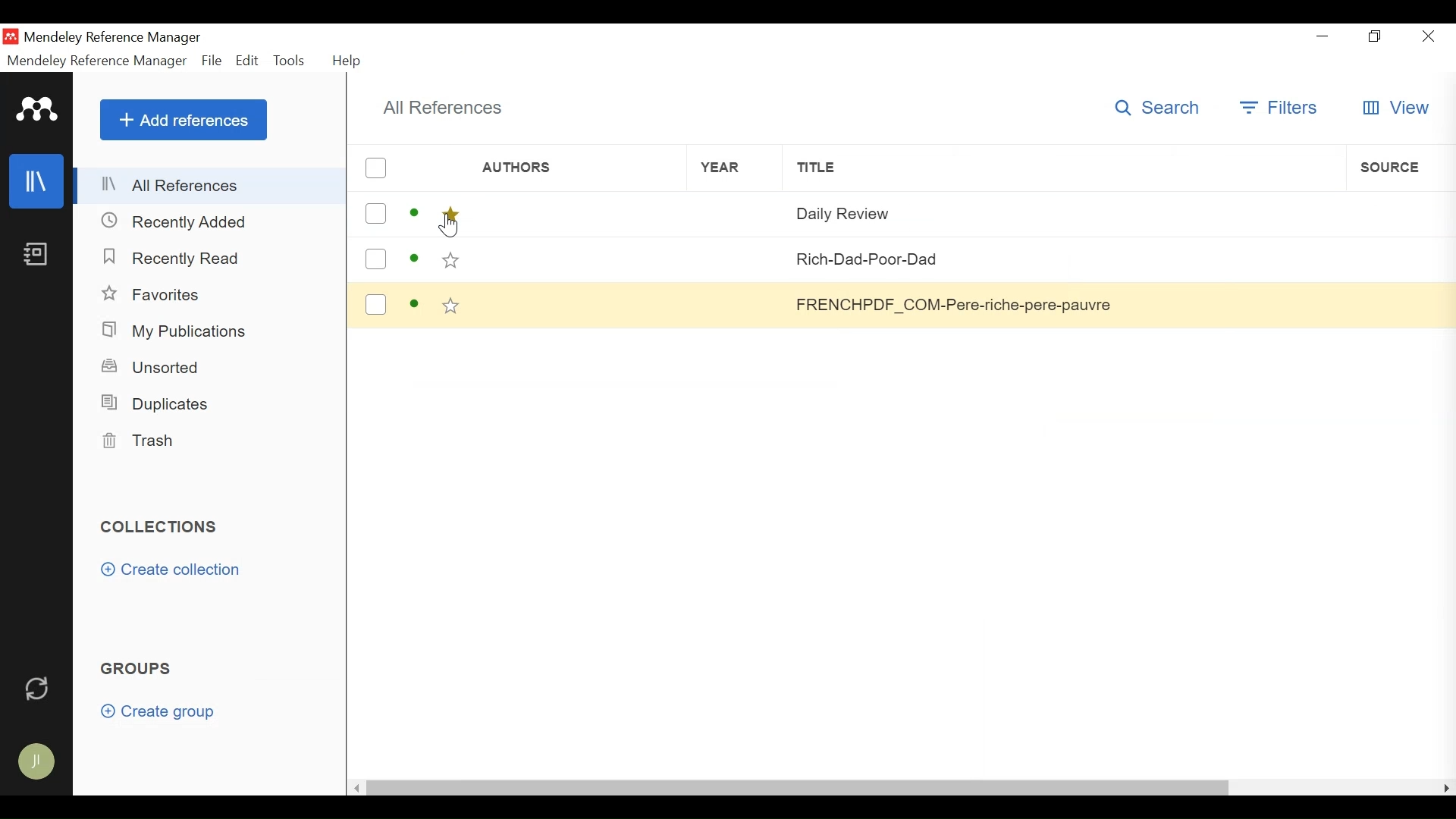  Describe the element at coordinates (1399, 168) in the screenshot. I see `Source` at that location.